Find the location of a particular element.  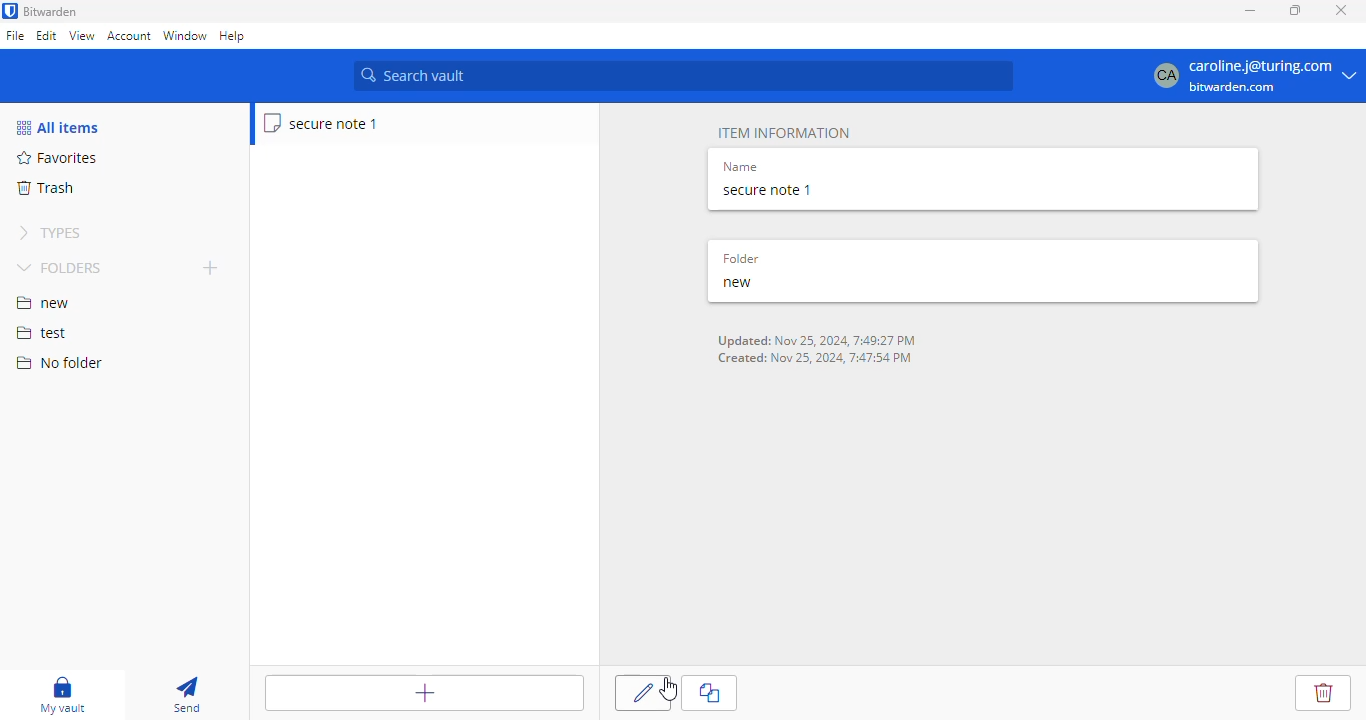

edit is located at coordinates (642, 694).